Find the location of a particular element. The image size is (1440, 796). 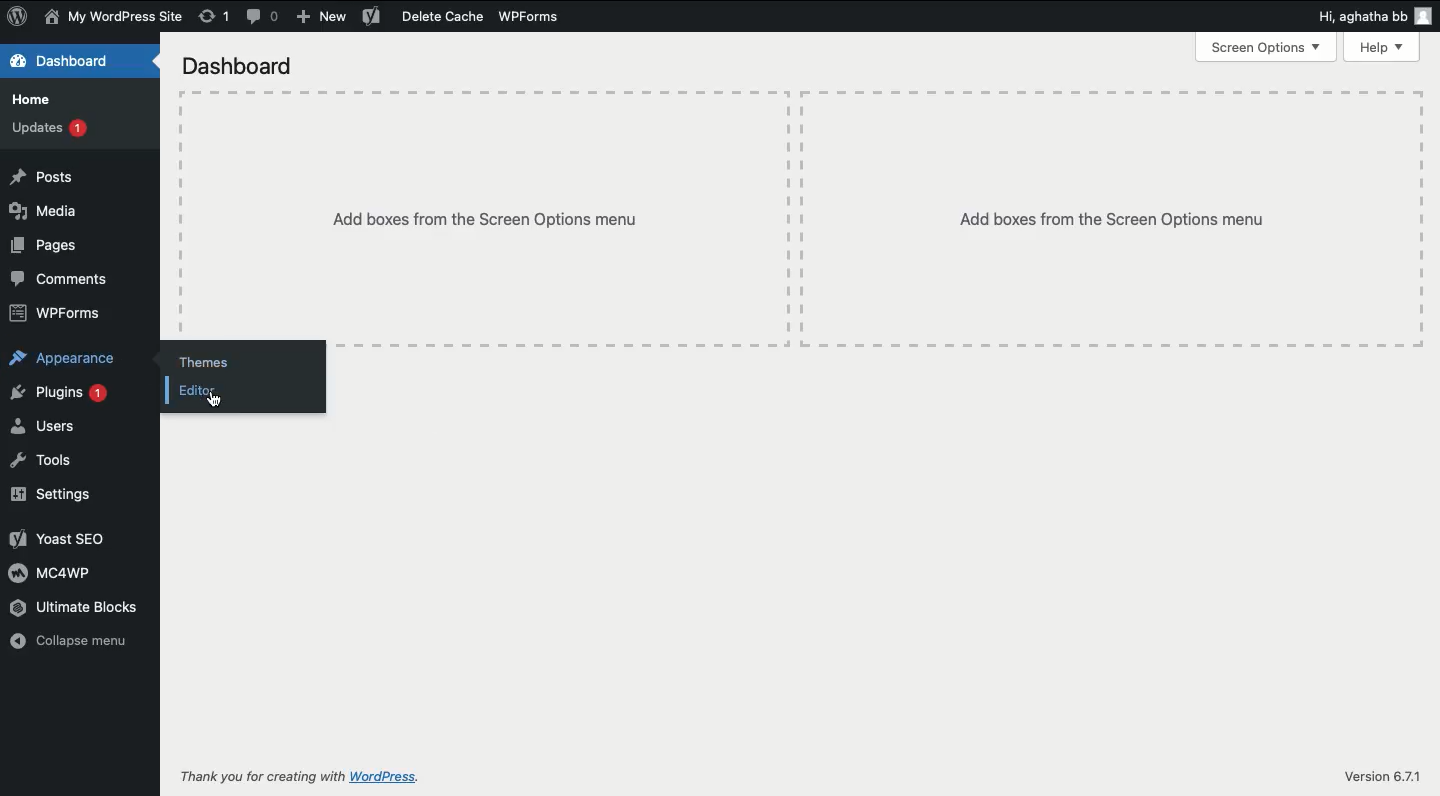

 Dashboard is located at coordinates (67, 60).